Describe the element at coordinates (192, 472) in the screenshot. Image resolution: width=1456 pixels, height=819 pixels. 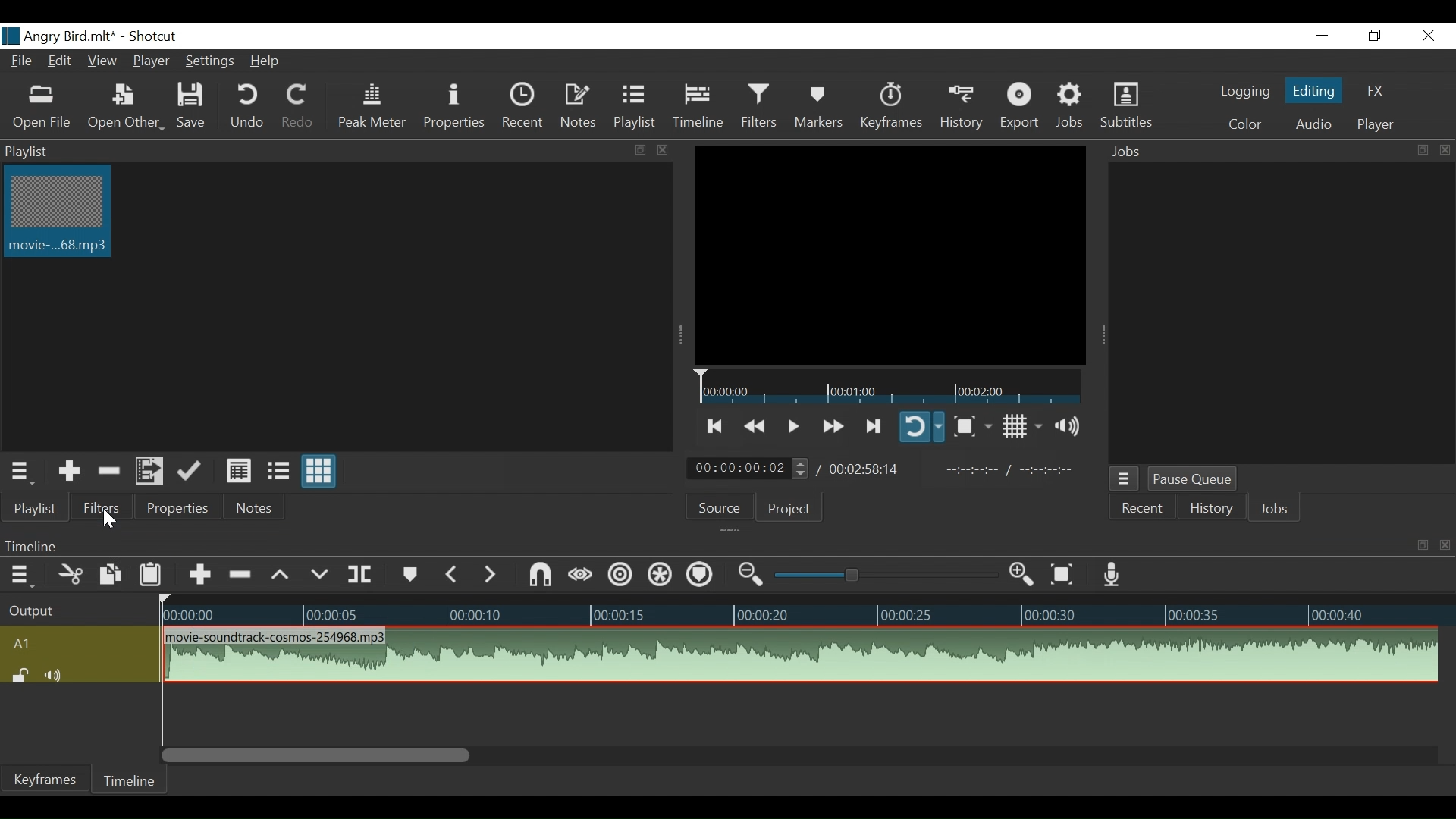
I see `Update` at that location.